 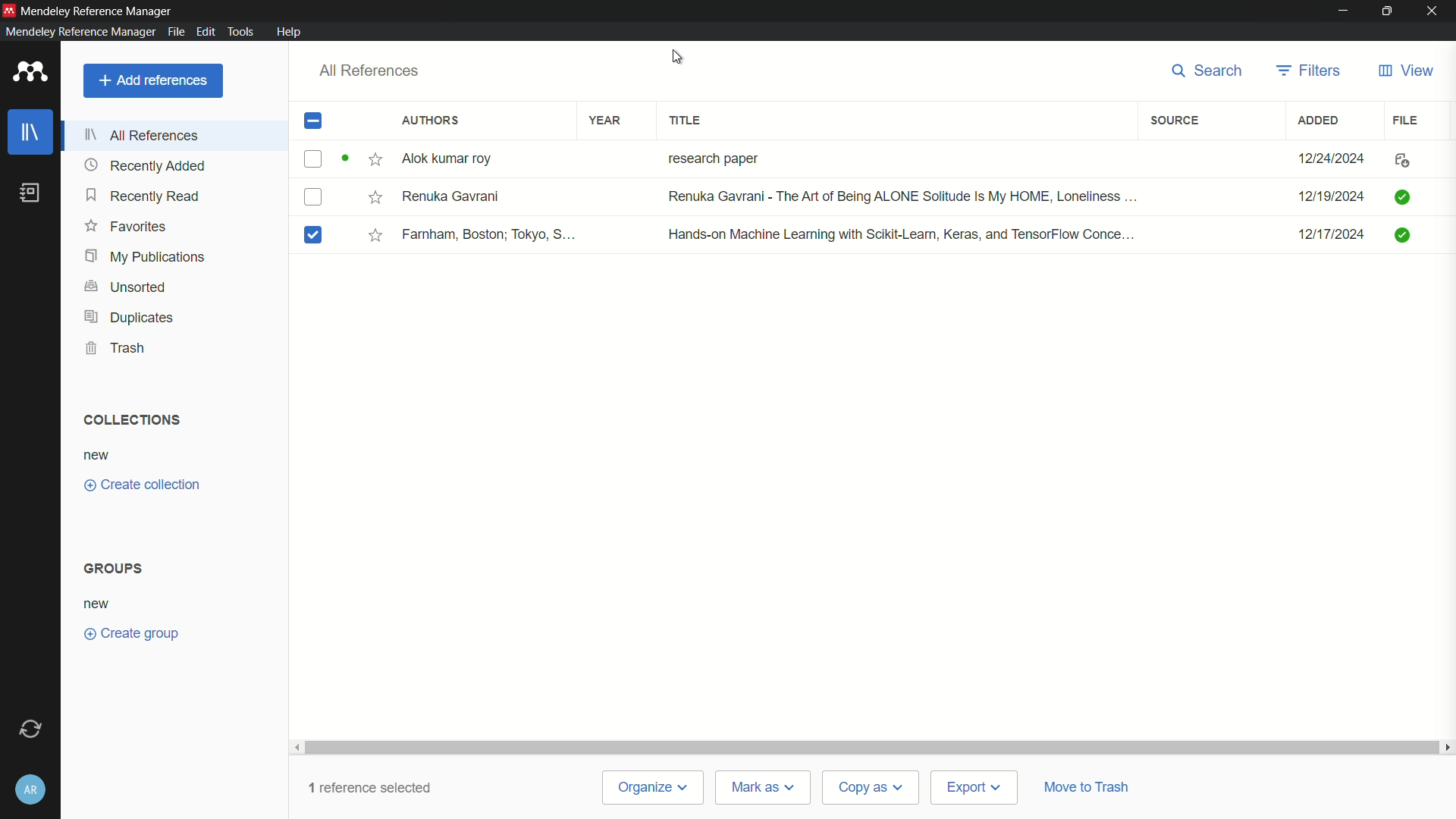 I want to click on add reference, so click(x=153, y=80).